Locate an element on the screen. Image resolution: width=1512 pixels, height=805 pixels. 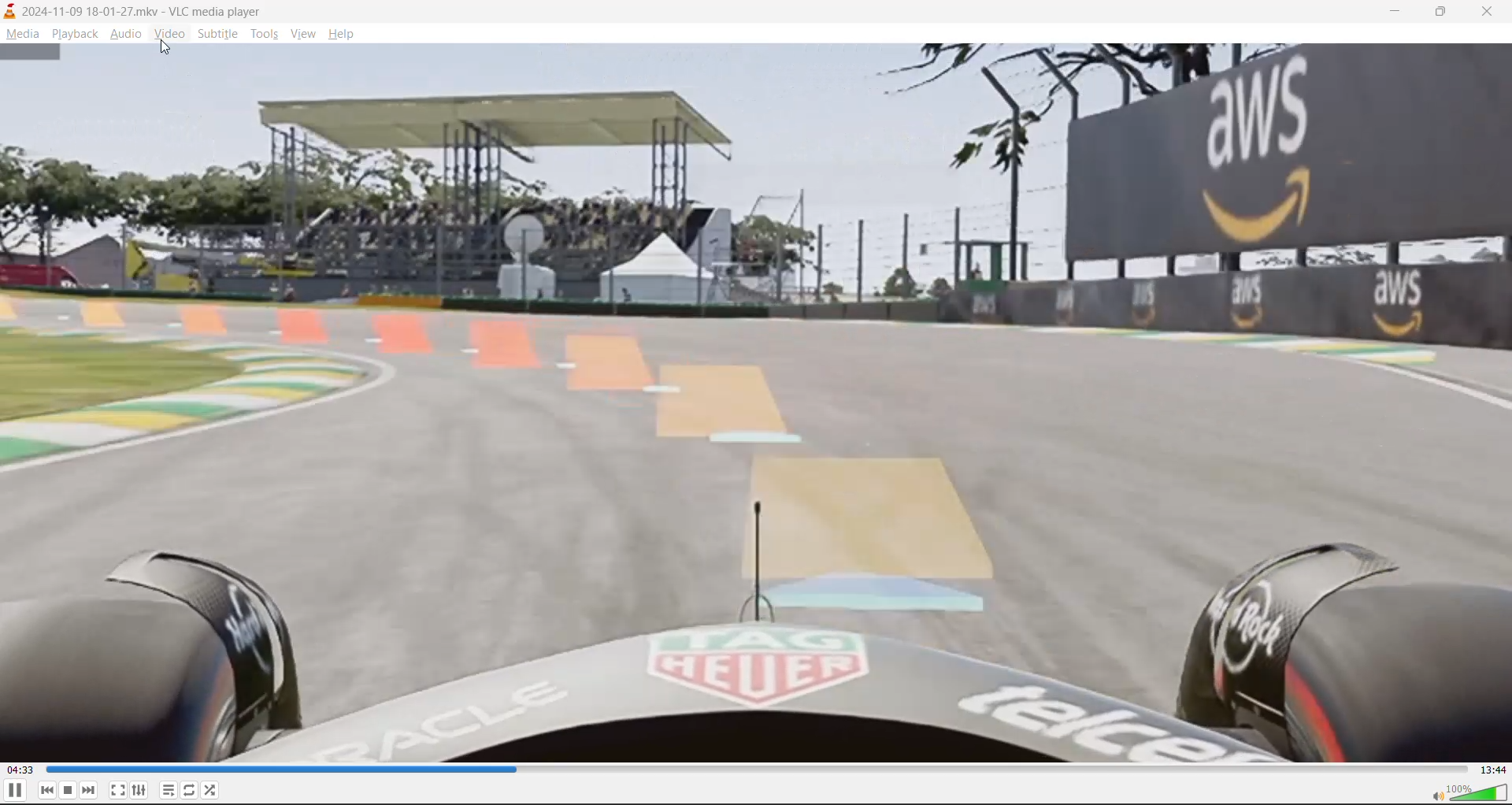
maximize is located at coordinates (1441, 13).